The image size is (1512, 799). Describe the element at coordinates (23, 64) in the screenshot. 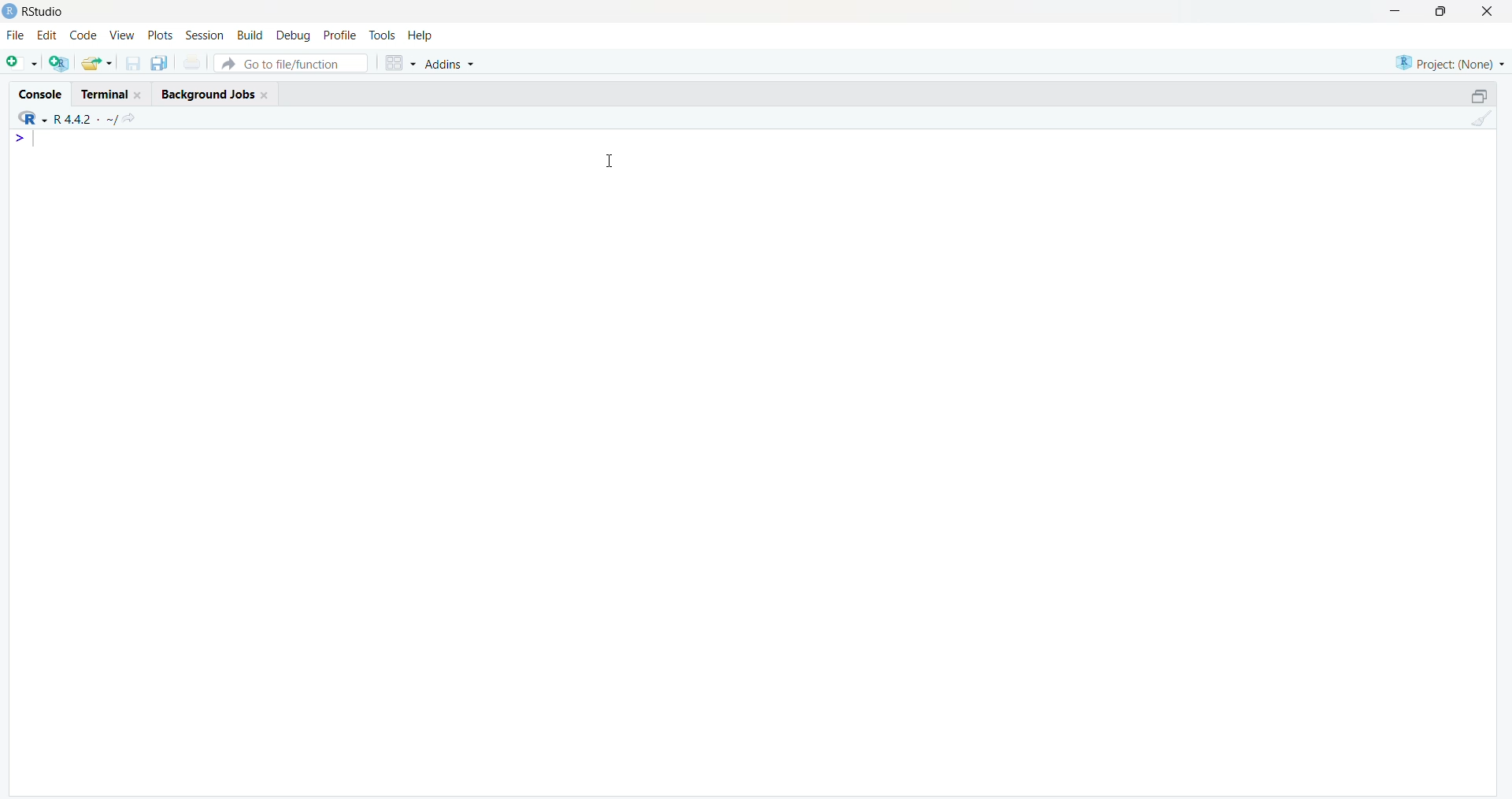

I see `open file as` at that location.